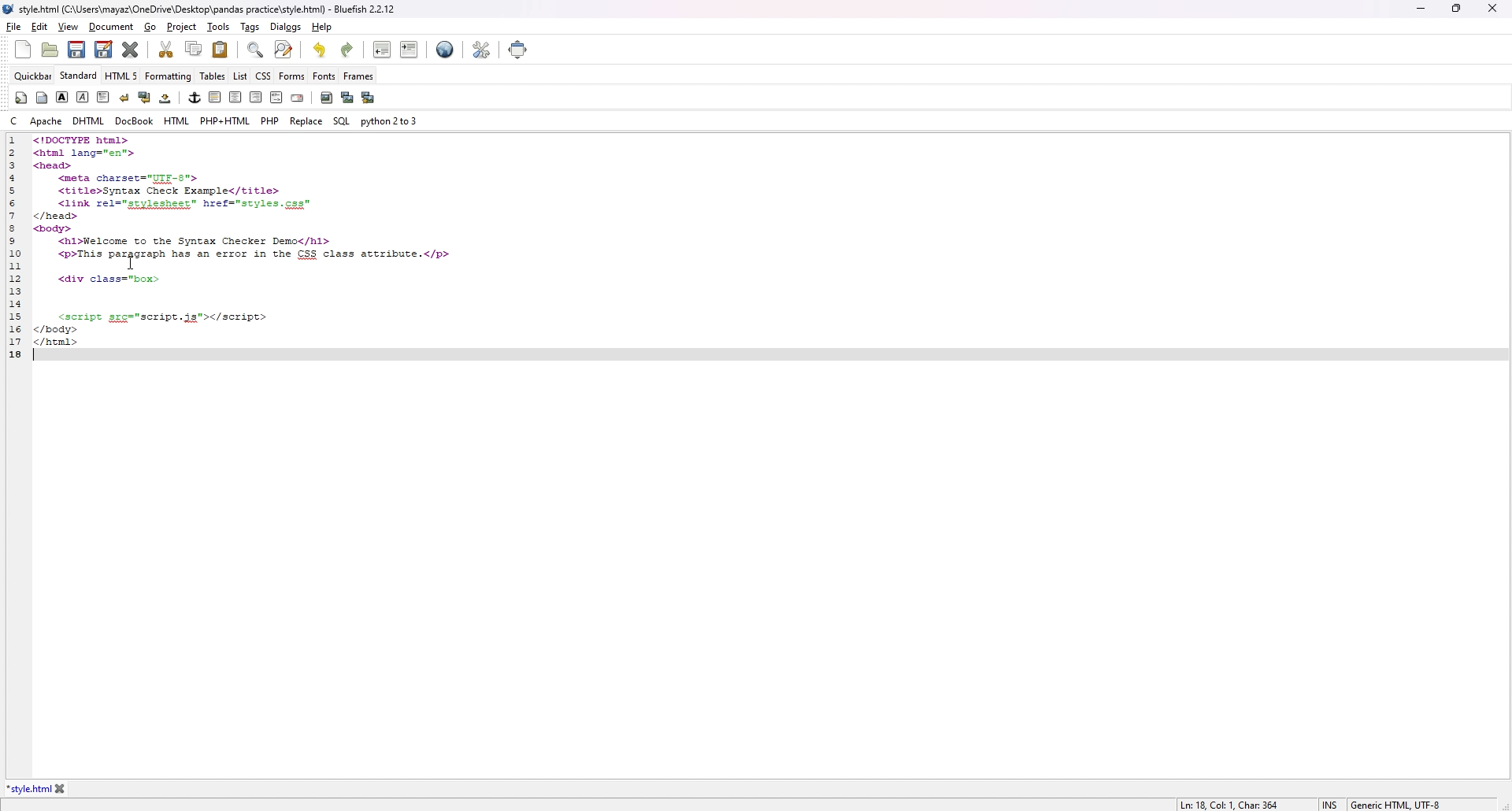 The image size is (1512, 811). What do you see at coordinates (326, 98) in the screenshot?
I see `insert image` at bounding box center [326, 98].